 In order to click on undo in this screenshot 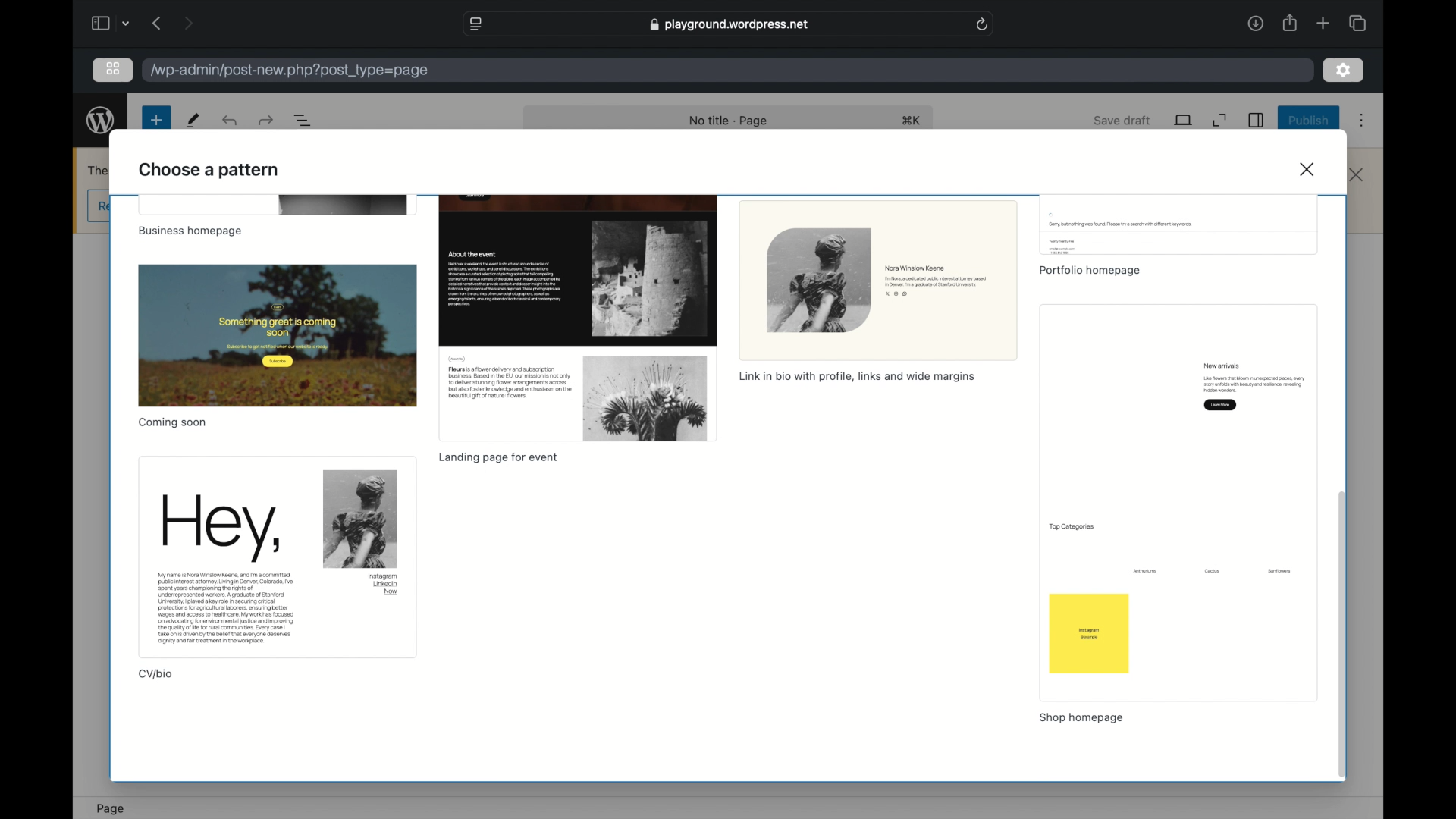, I will do `click(228, 121)`.